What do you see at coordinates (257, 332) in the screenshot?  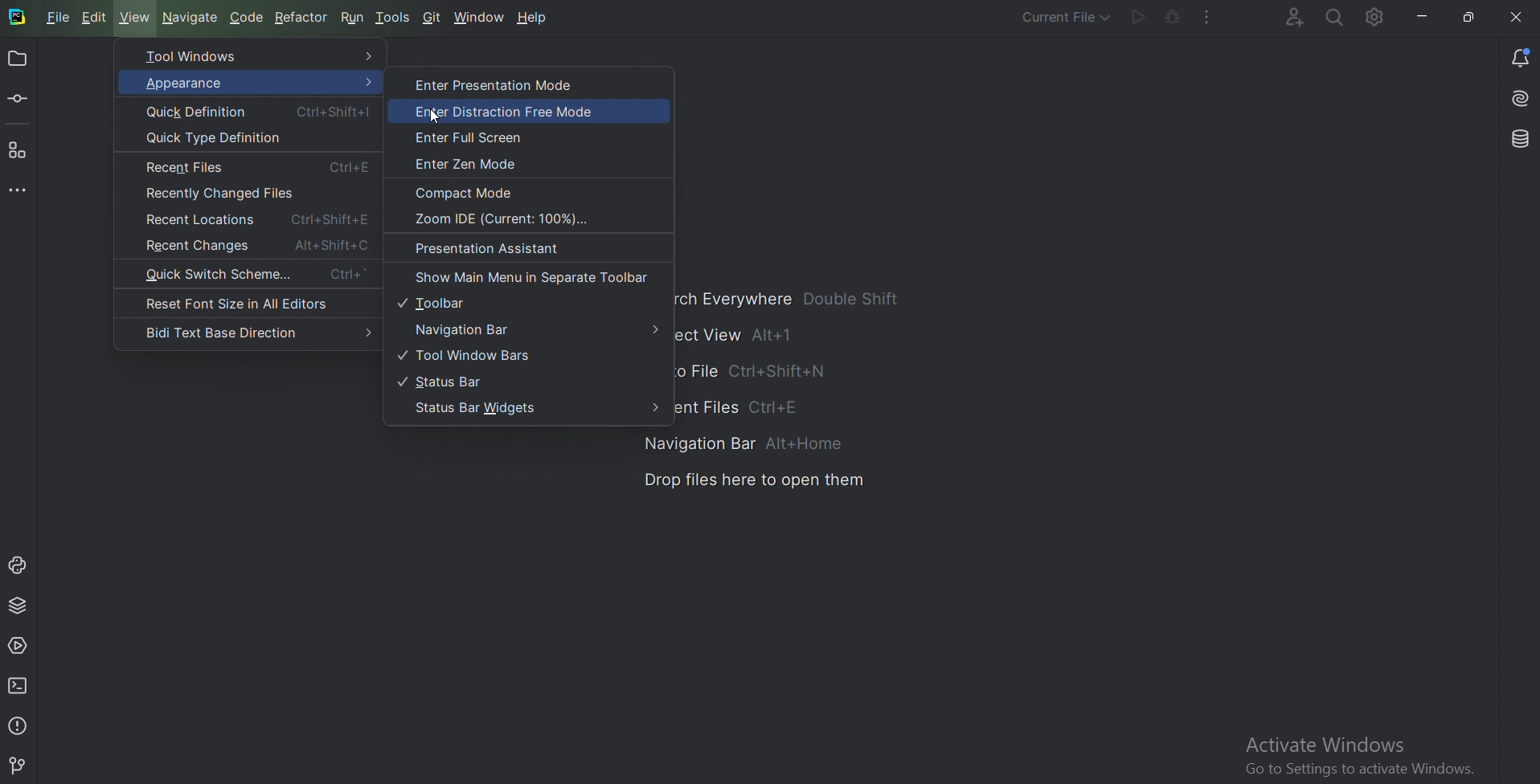 I see `Bidi text base direction` at bounding box center [257, 332].